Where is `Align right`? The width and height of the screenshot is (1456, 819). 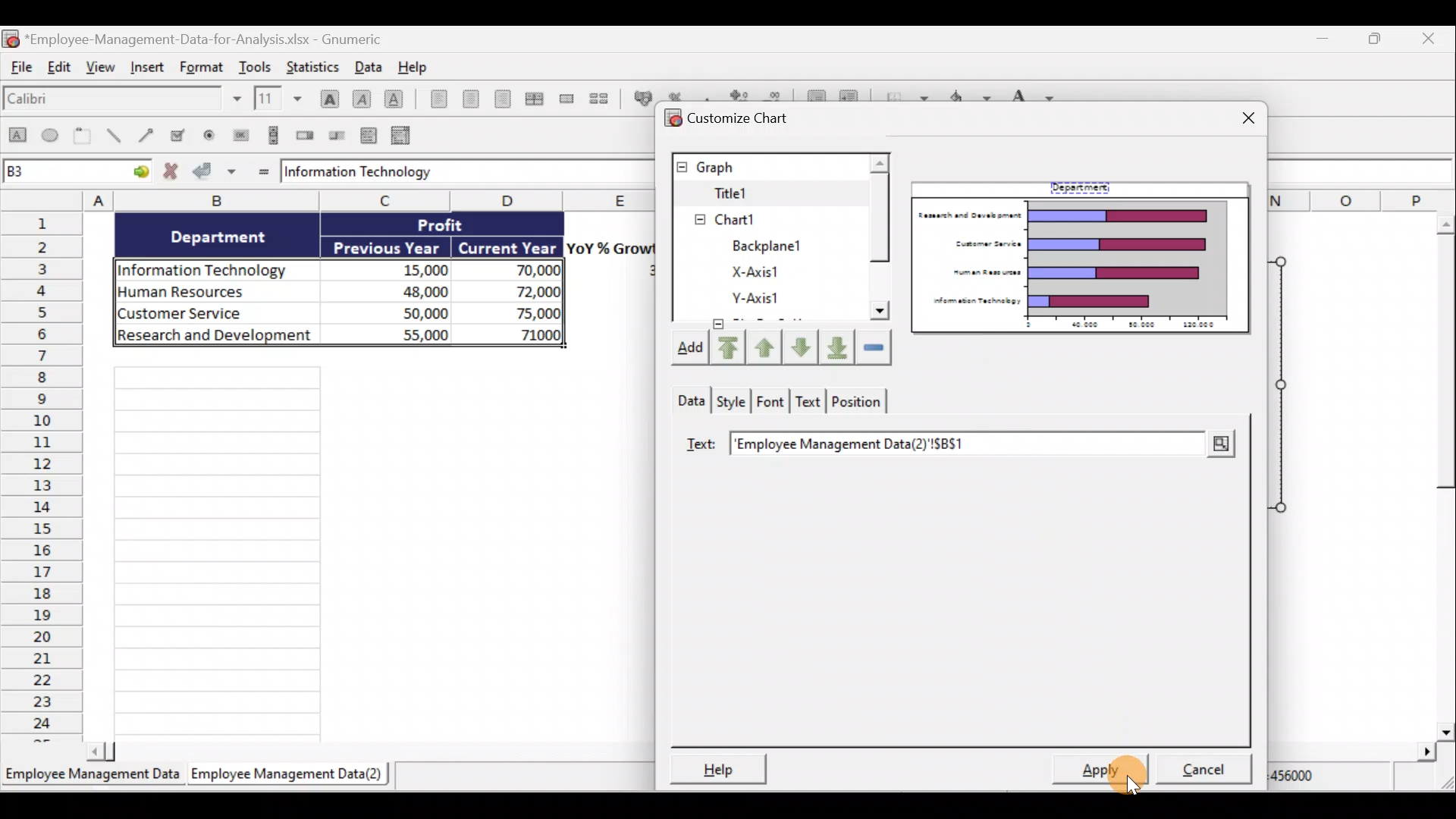 Align right is located at coordinates (507, 102).